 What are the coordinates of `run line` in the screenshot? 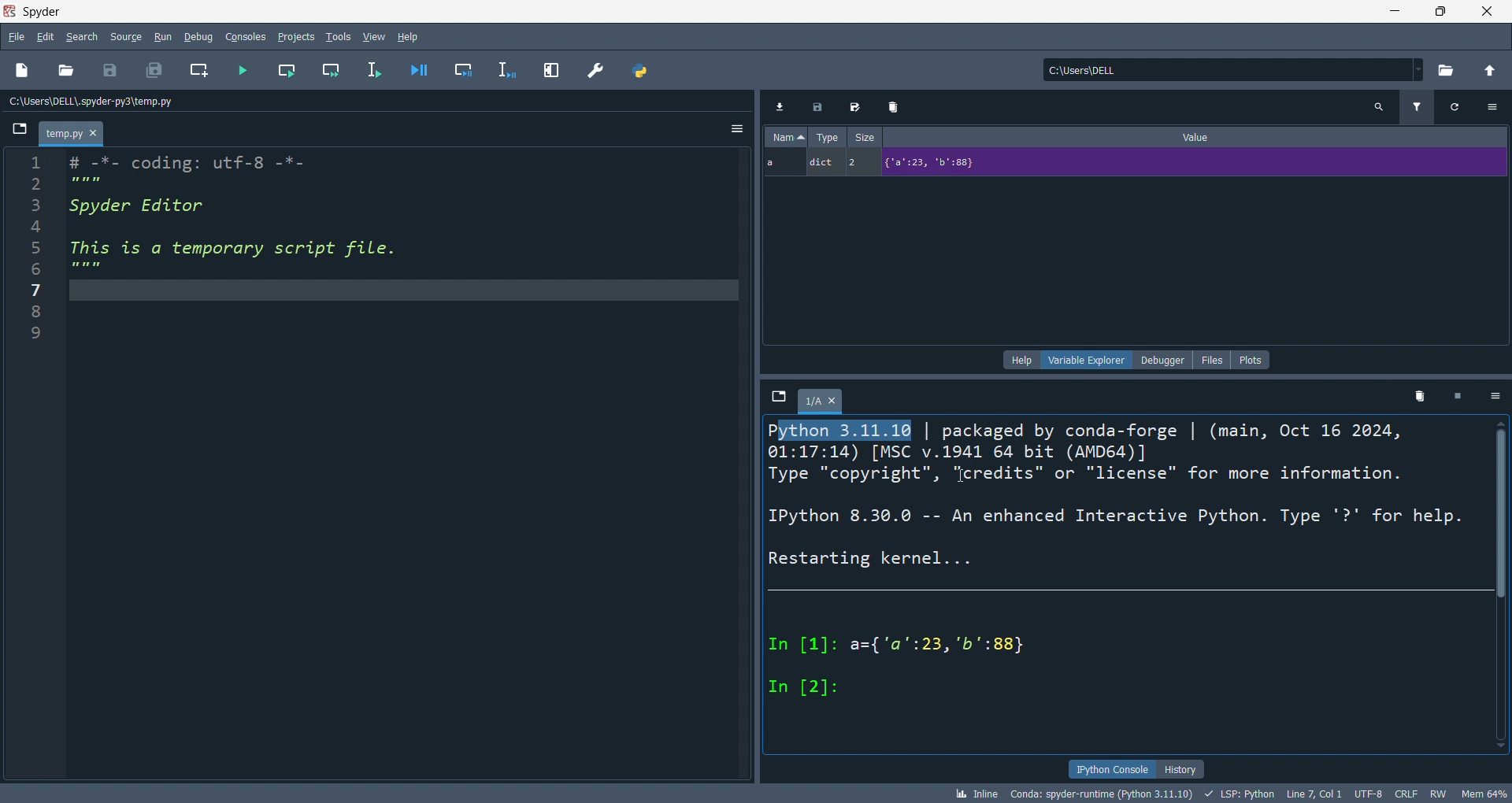 It's located at (380, 73).